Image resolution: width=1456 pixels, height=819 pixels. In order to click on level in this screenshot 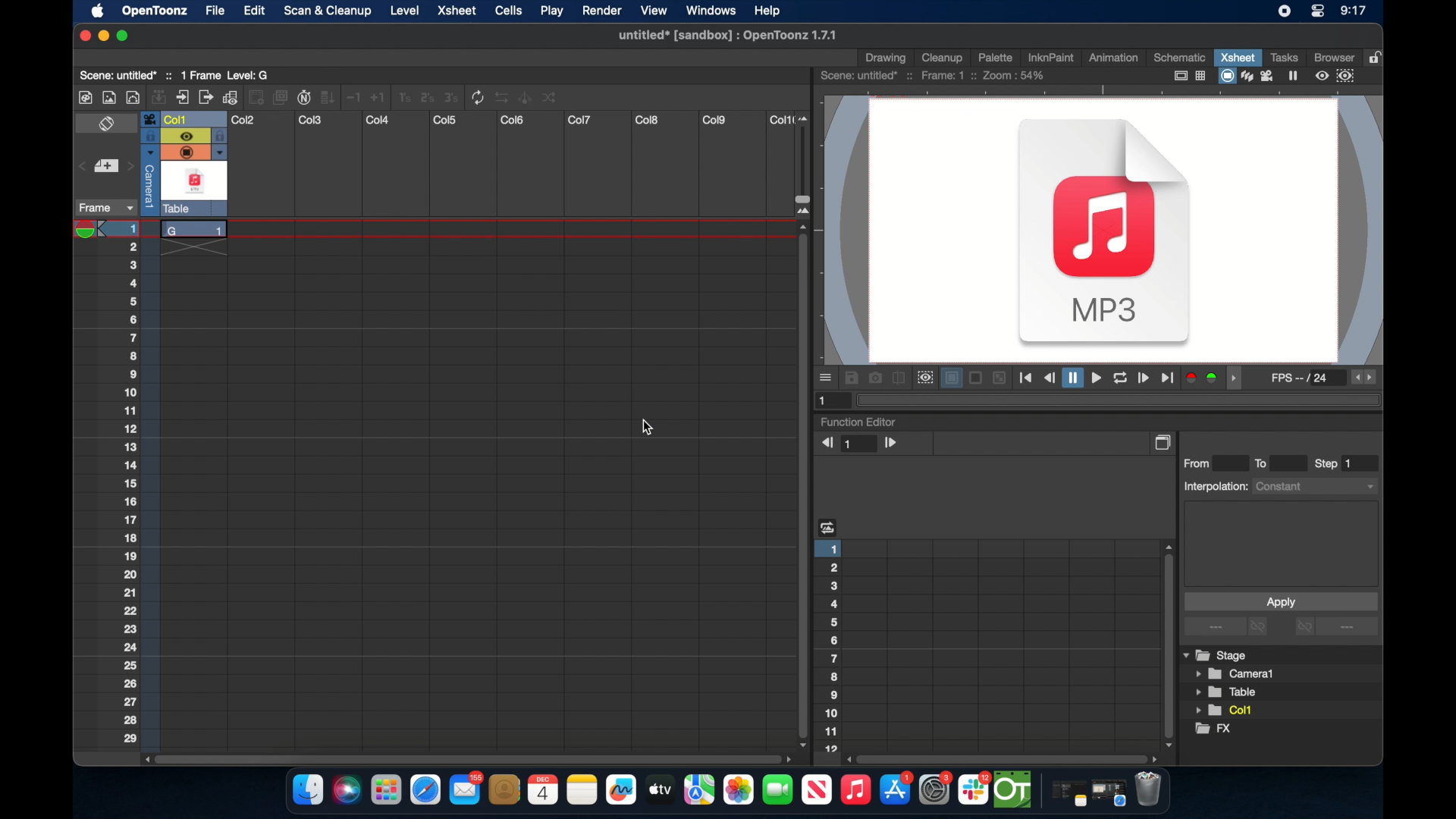, I will do `click(406, 10)`.